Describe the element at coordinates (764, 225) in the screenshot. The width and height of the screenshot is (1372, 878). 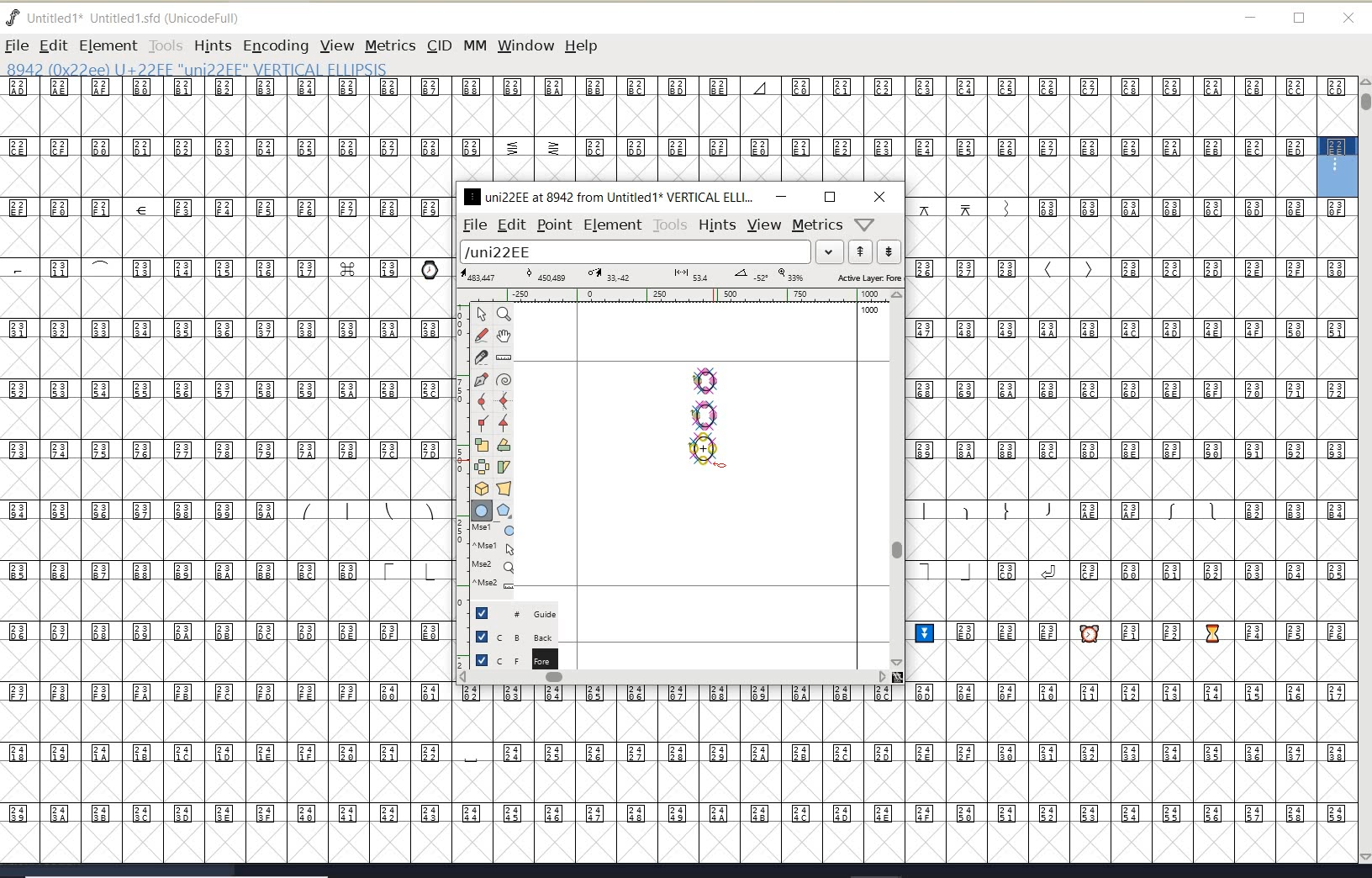
I see `view` at that location.